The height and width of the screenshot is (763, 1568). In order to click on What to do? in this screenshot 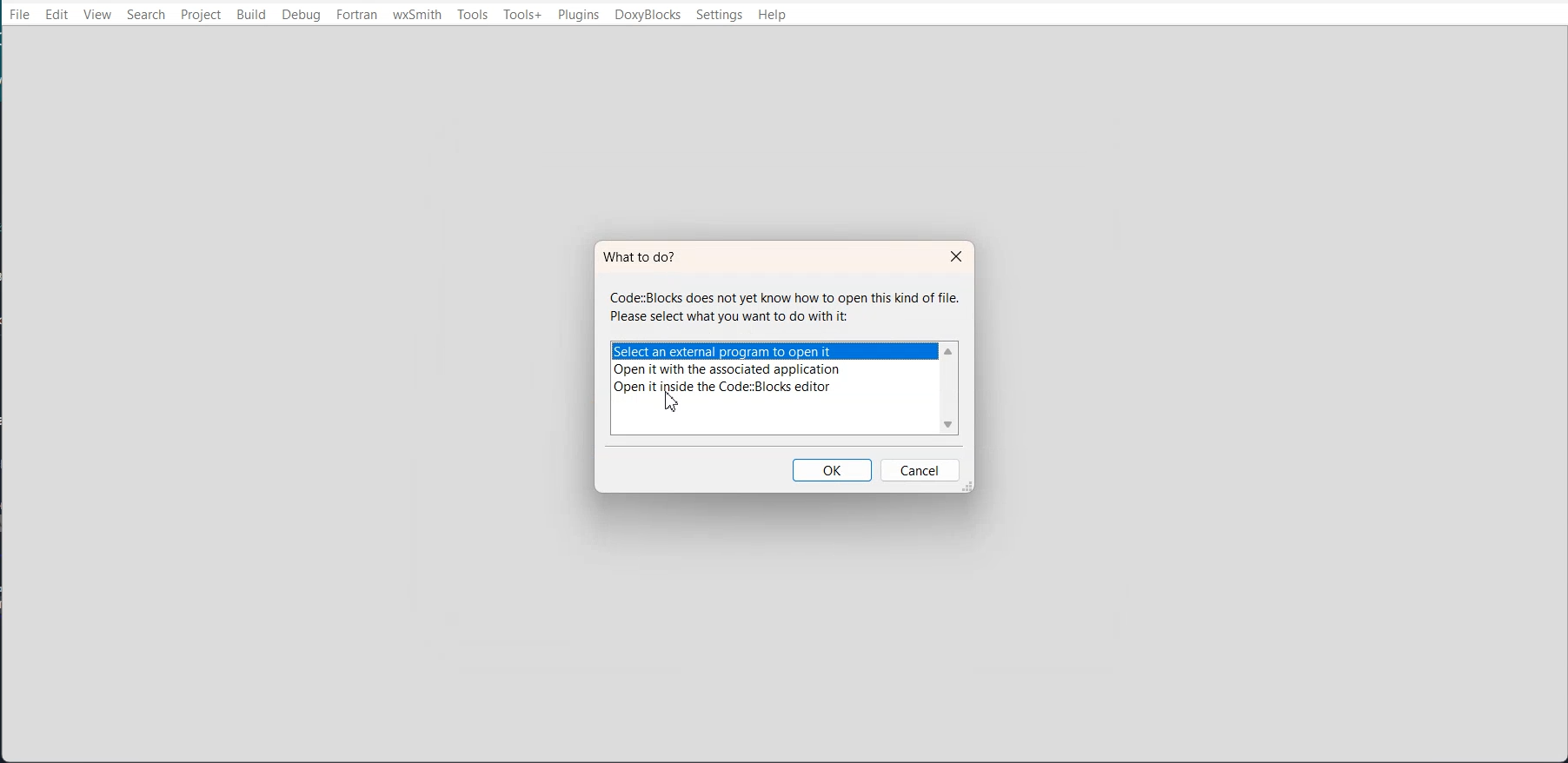, I will do `click(642, 256)`.